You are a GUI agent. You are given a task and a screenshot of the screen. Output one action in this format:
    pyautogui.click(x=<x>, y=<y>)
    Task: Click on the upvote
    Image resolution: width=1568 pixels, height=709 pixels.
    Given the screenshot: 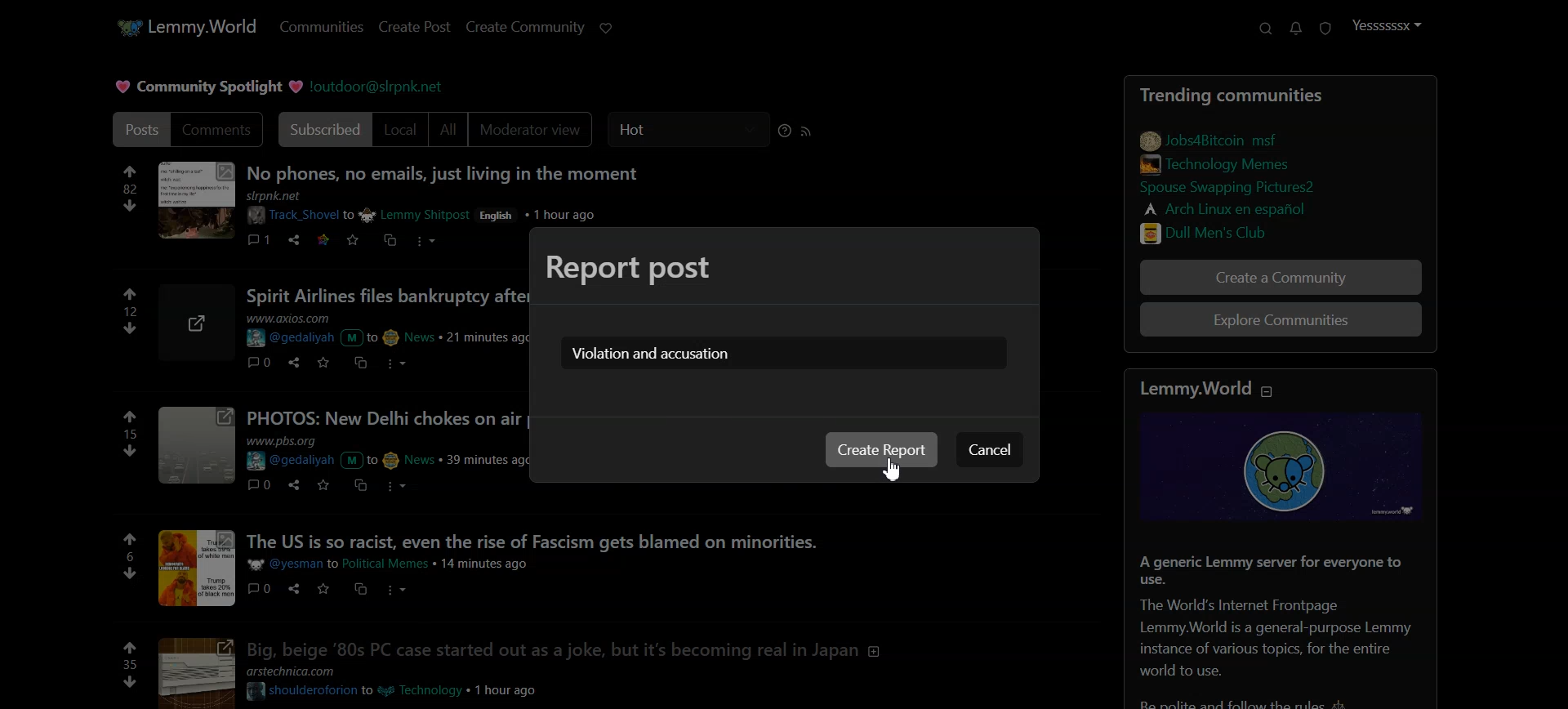 What is the action you would take?
    pyautogui.click(x=131, y=295)
    